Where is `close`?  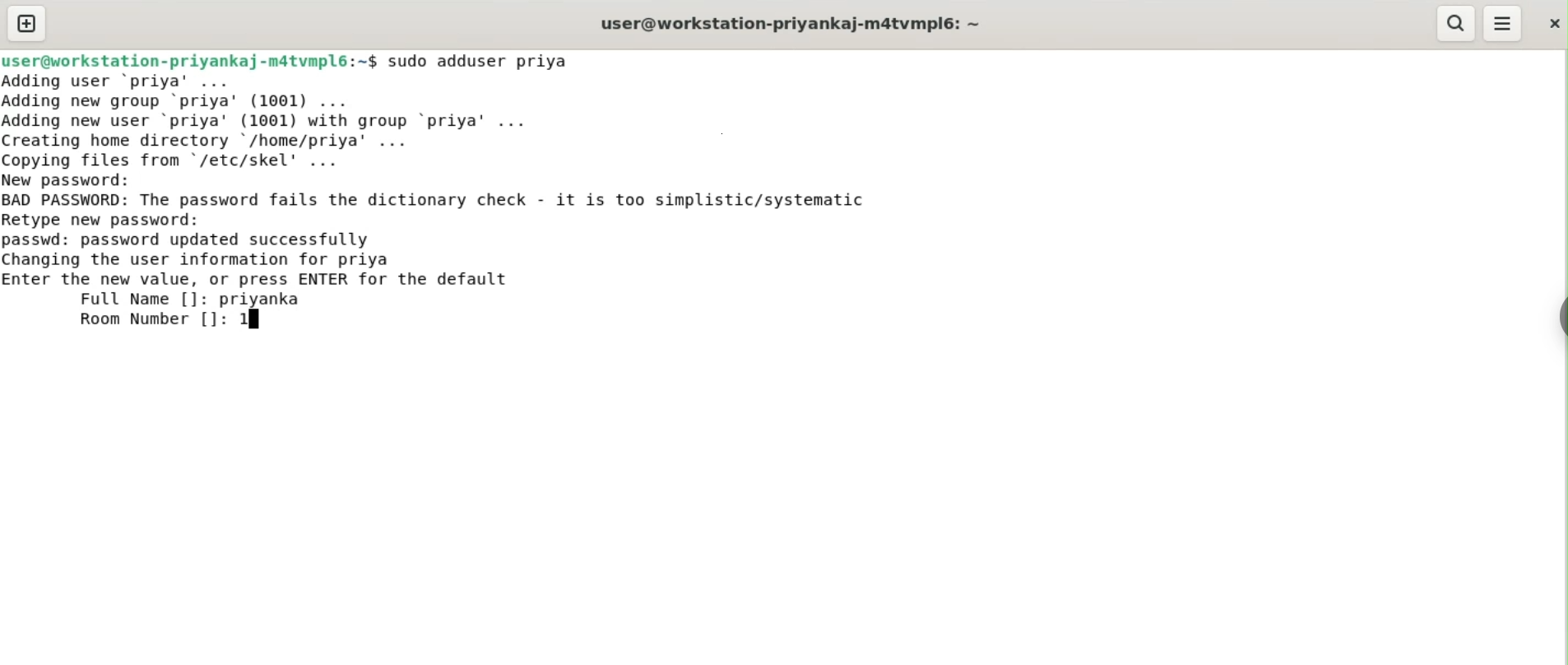
close is located at coordinates (1552, 19).